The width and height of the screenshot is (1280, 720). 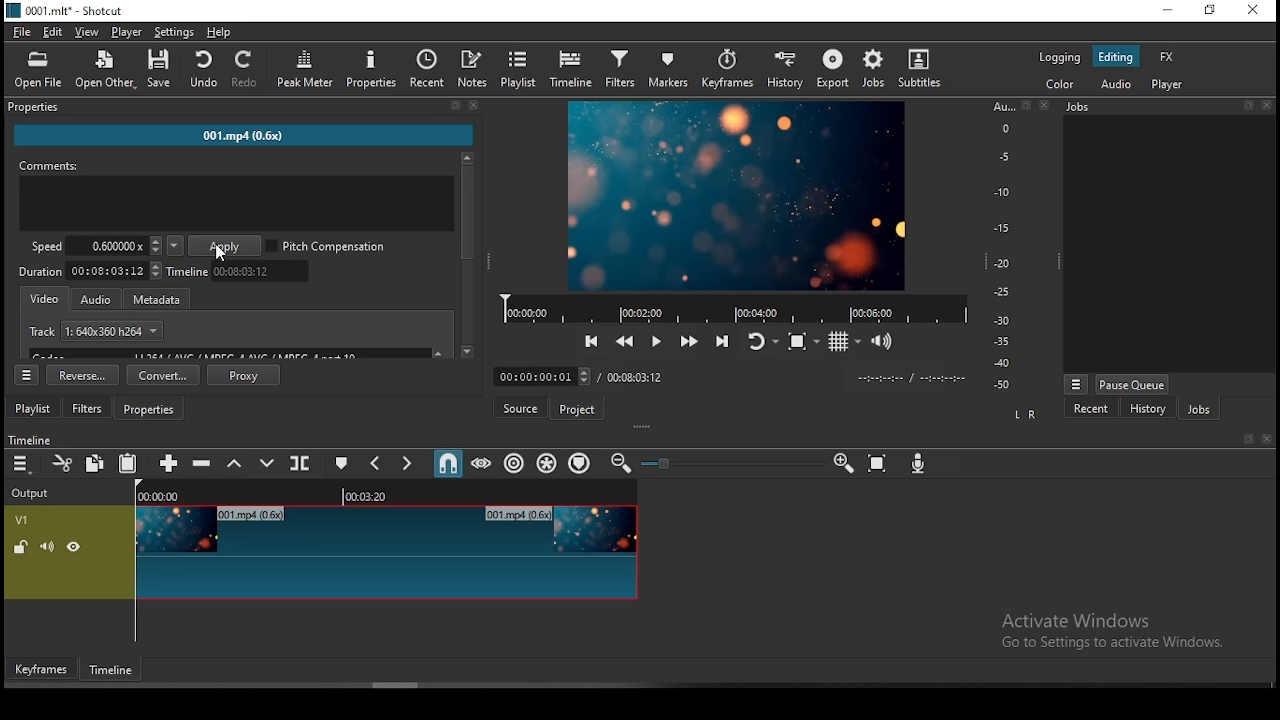 What do you see at coordinates (164, 374) in the screenshot?
I see `convert` at bounding box center [164, 374].